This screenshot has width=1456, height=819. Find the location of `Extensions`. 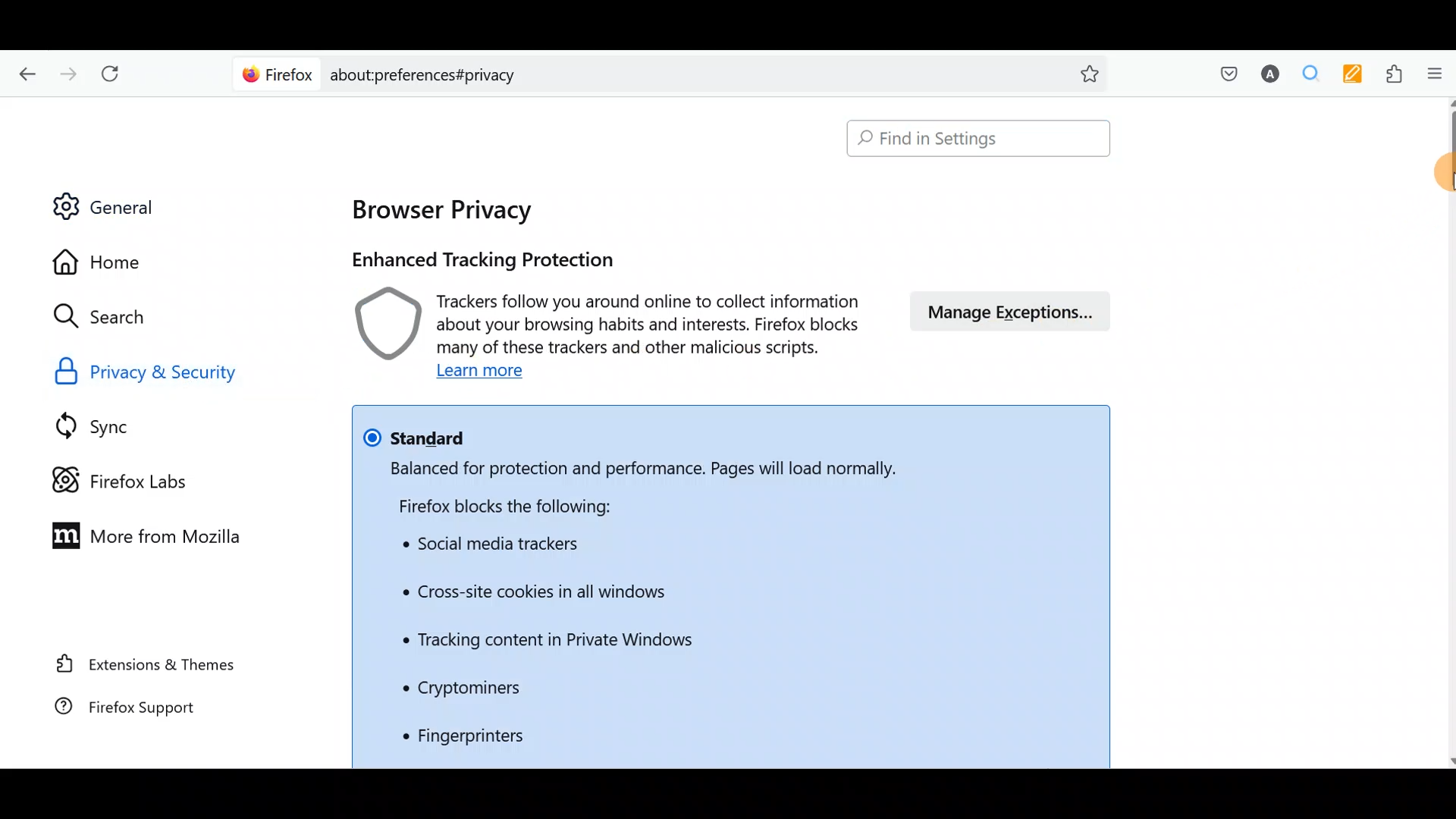

Extensions is located at coordinates (1390, 74).